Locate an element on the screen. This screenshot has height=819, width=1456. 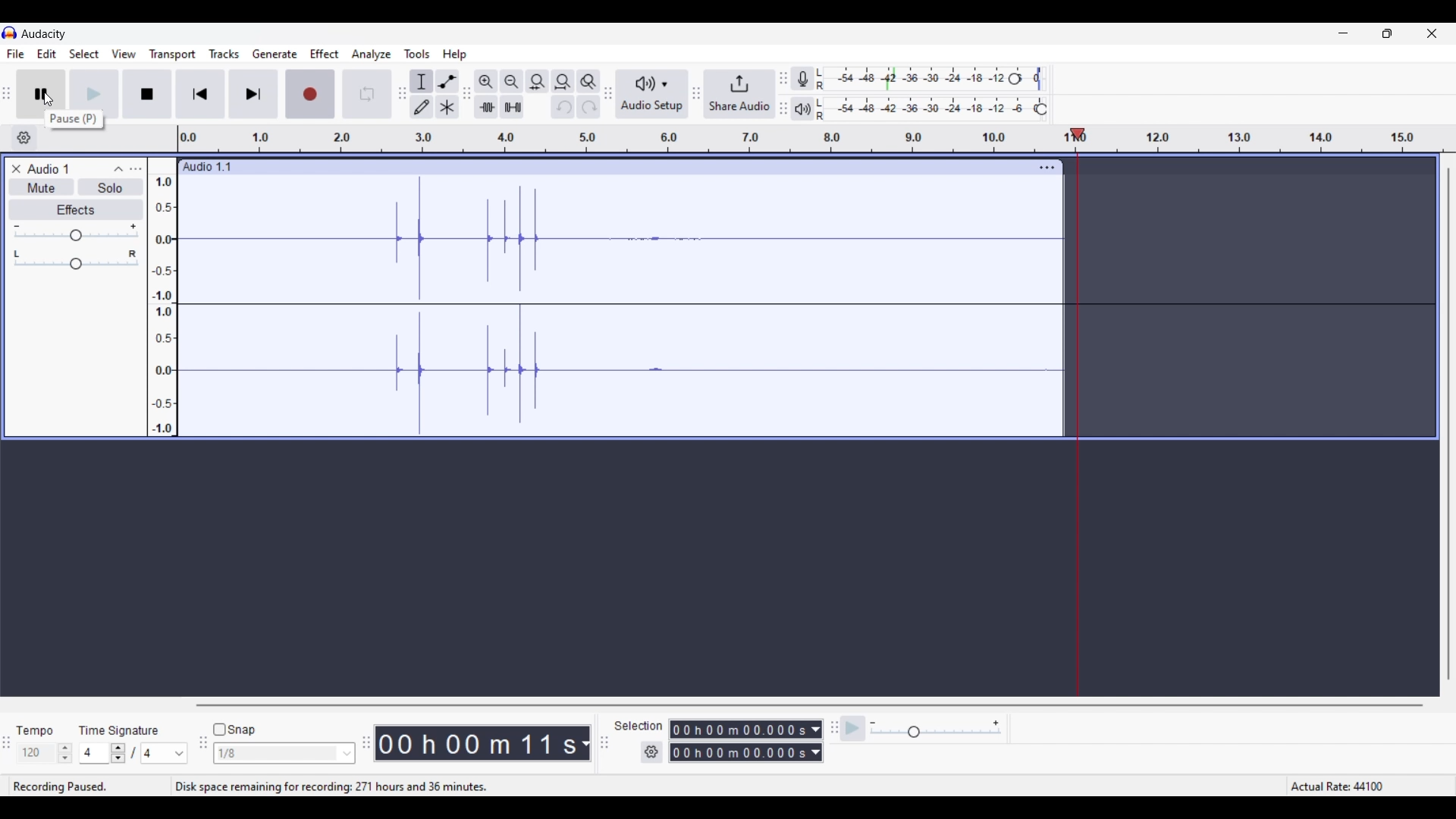
Delete current track is located at coordinates (17, 168).